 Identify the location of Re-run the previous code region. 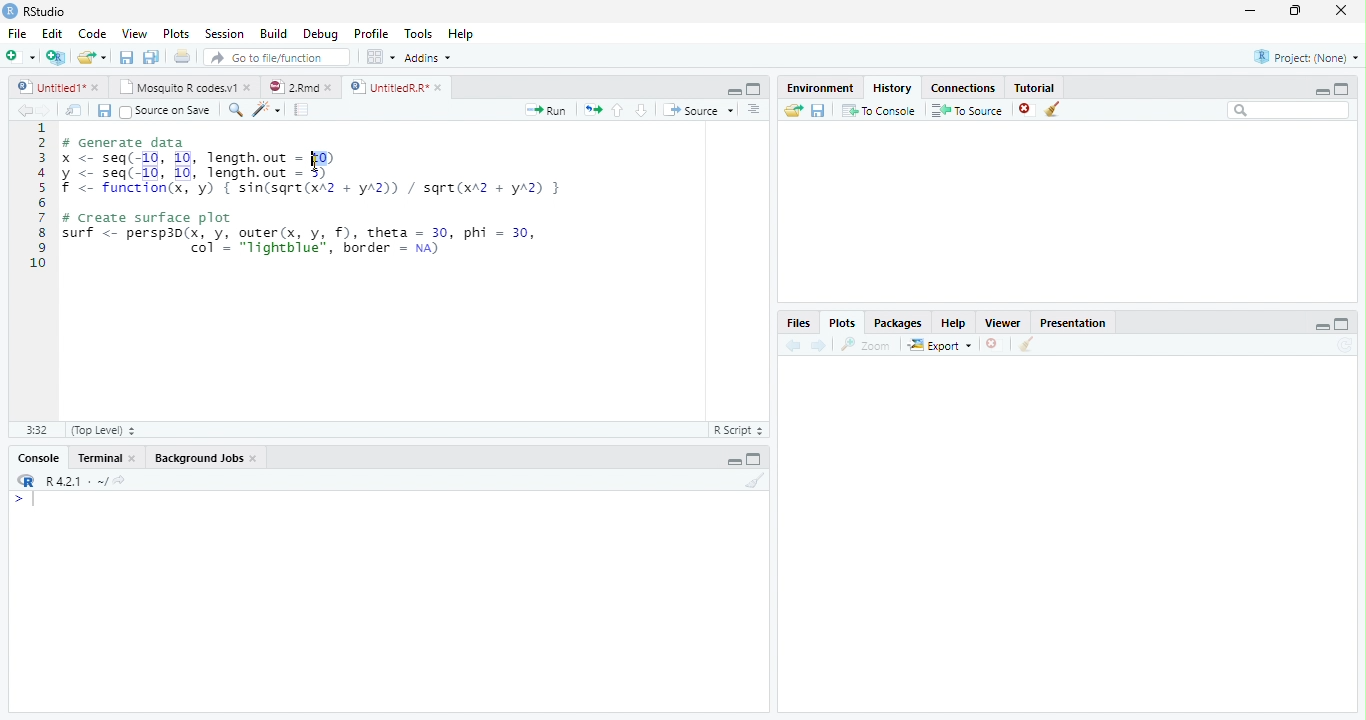
(592, 109).